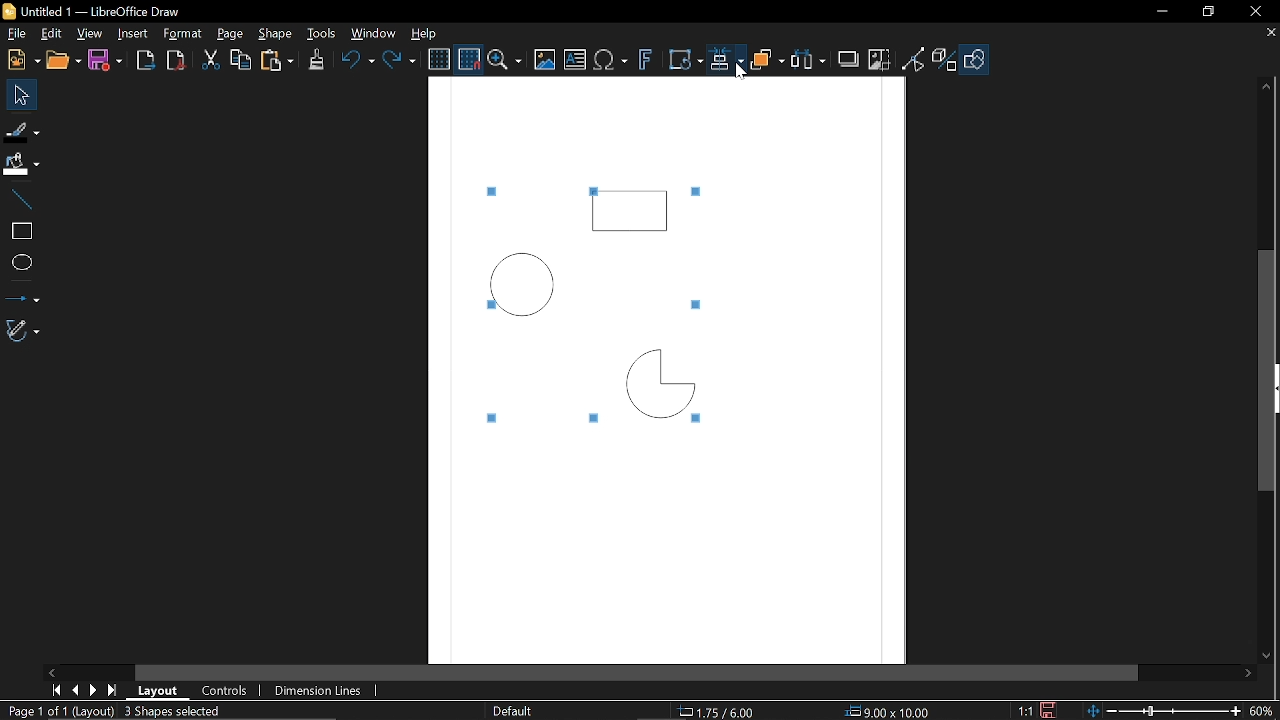 This screenshot has width=1280, height=720. Describe the element at coordinates (638, 672) in the screenshot. I see `Horizontal scrollbar` at that location.